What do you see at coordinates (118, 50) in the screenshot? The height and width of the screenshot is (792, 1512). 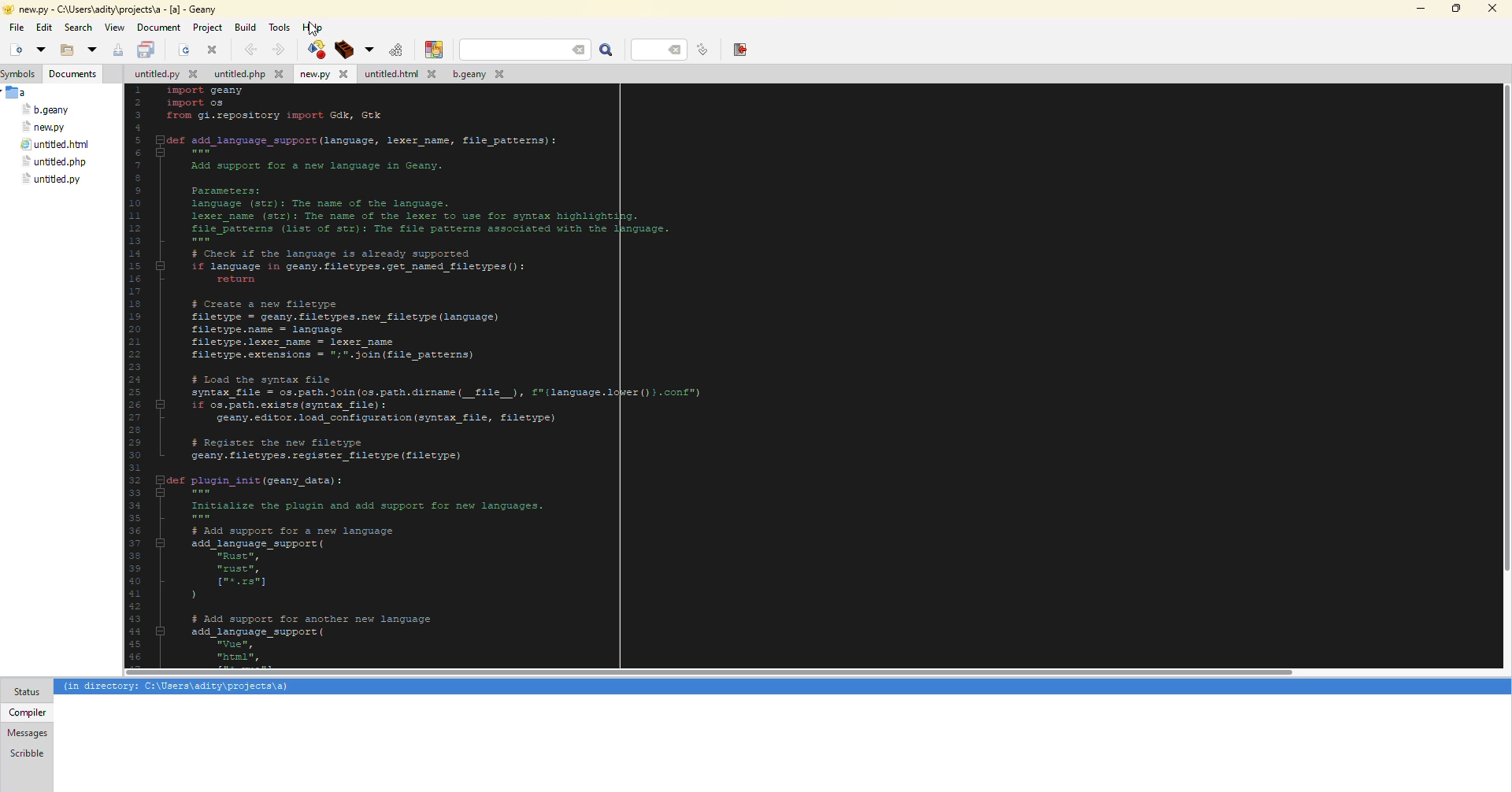 I see `save` at bounding box center [118, 50].